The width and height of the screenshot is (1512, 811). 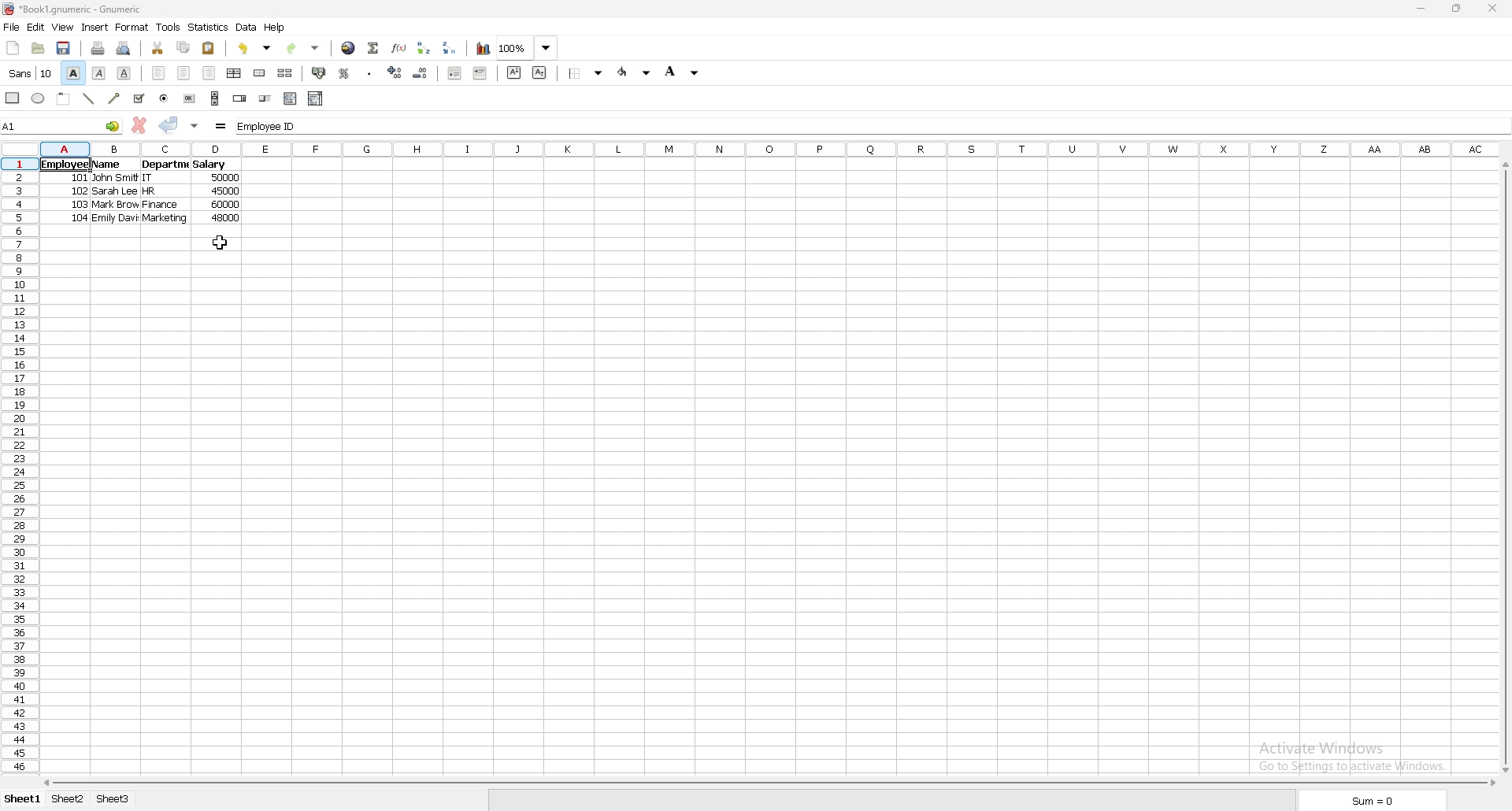 What do you see at coordinates (61, 165) in the screenshot?
I see `employee` at bounding box center [61, 165].